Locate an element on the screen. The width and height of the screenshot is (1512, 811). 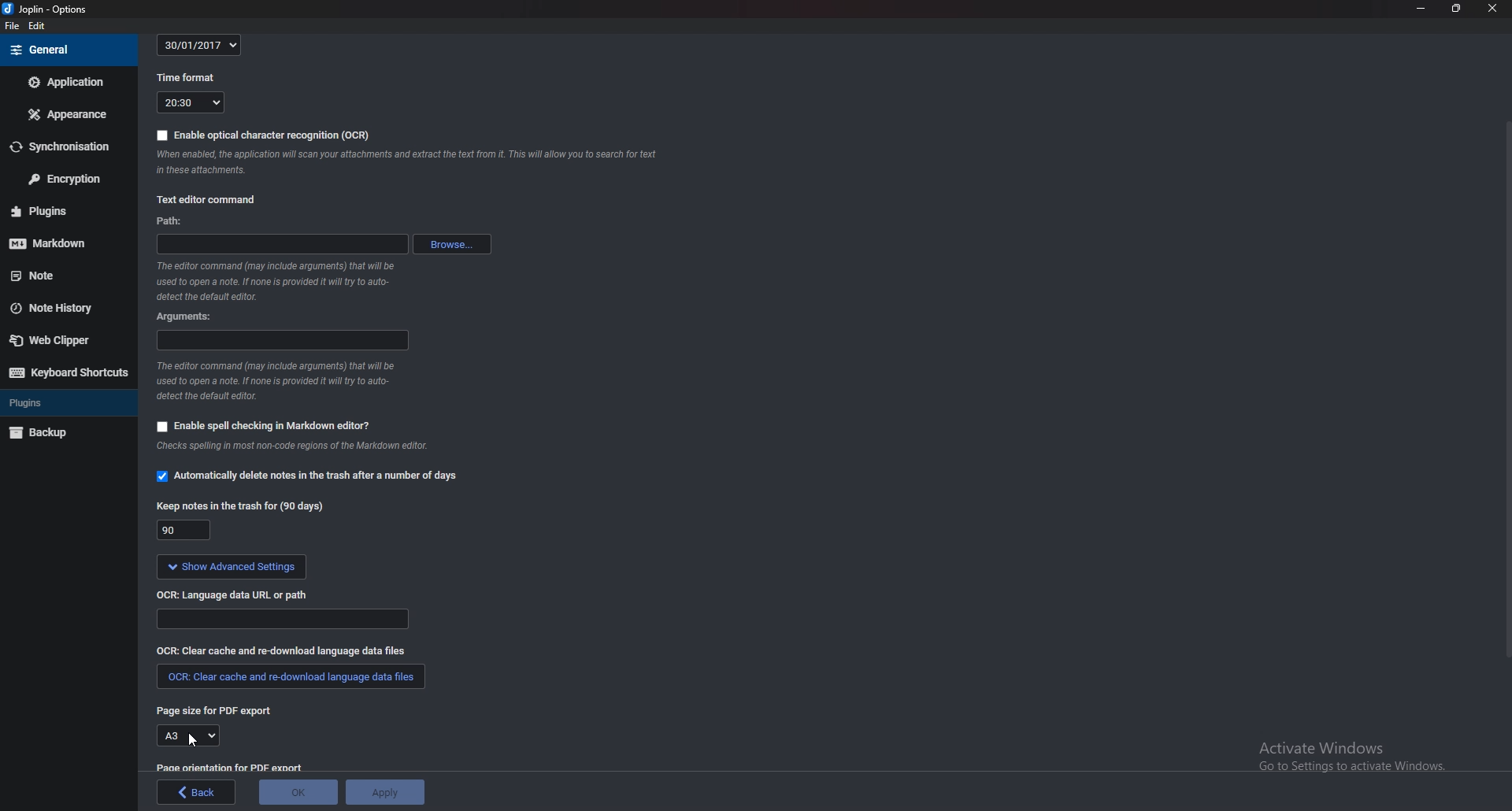
File is located at coordinates (13, 26).